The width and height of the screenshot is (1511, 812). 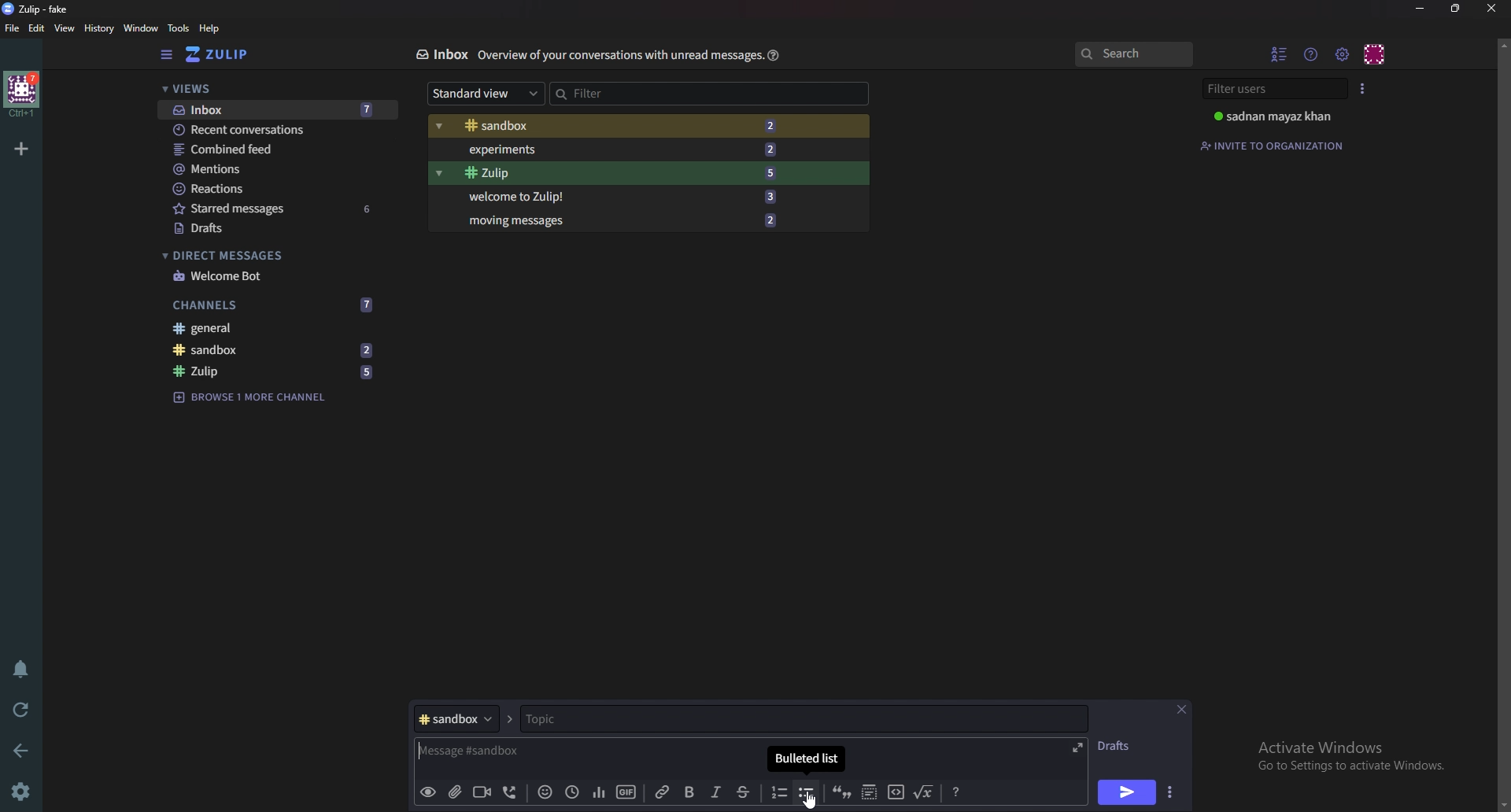 What do you see at coordinates (1281, 116) in the screenshot?
I see `User` at bounding box center [1281, 116].